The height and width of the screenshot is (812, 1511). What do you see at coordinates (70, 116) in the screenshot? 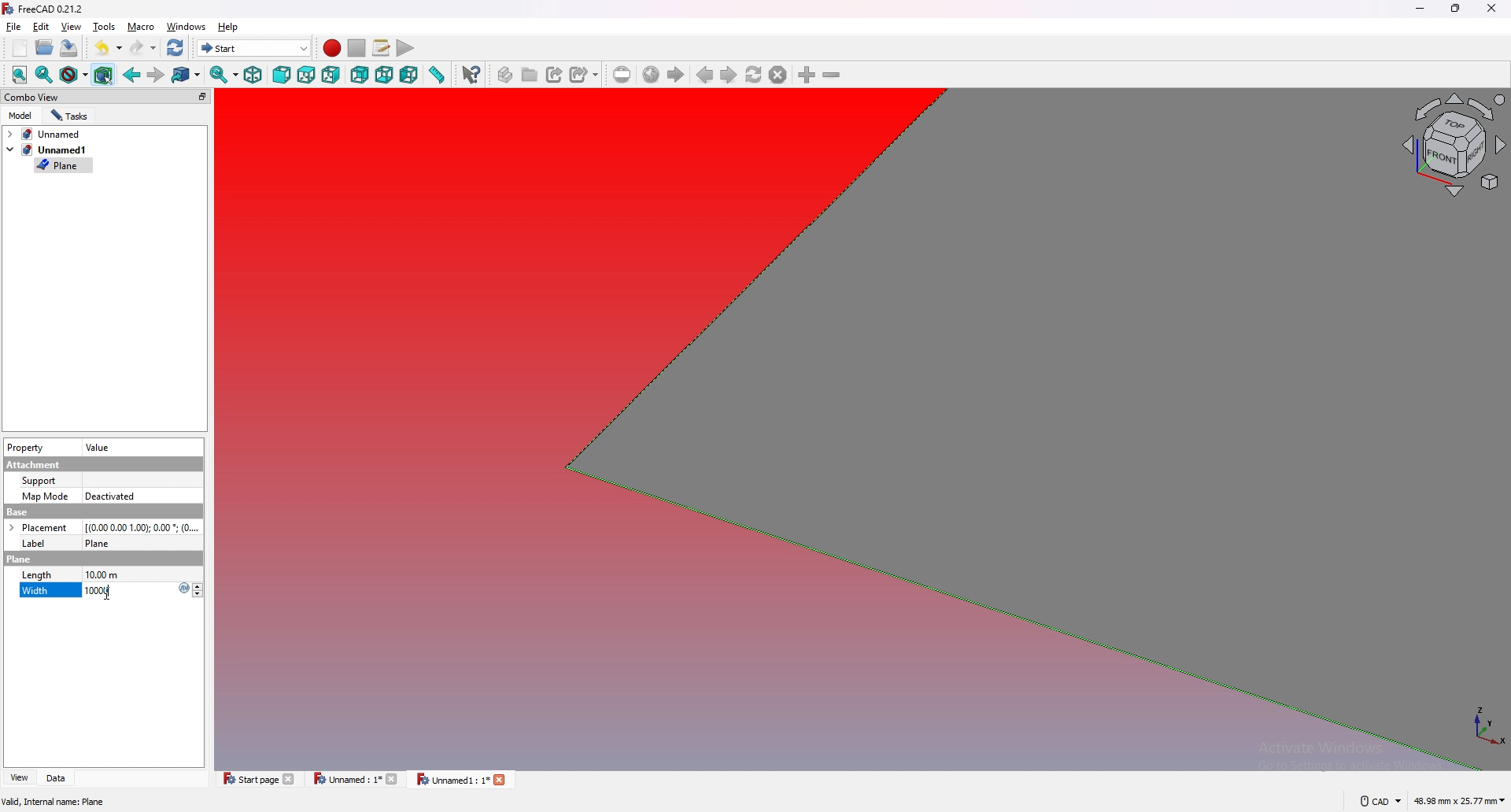
I see `tasks` at bounding box center [70, 116].